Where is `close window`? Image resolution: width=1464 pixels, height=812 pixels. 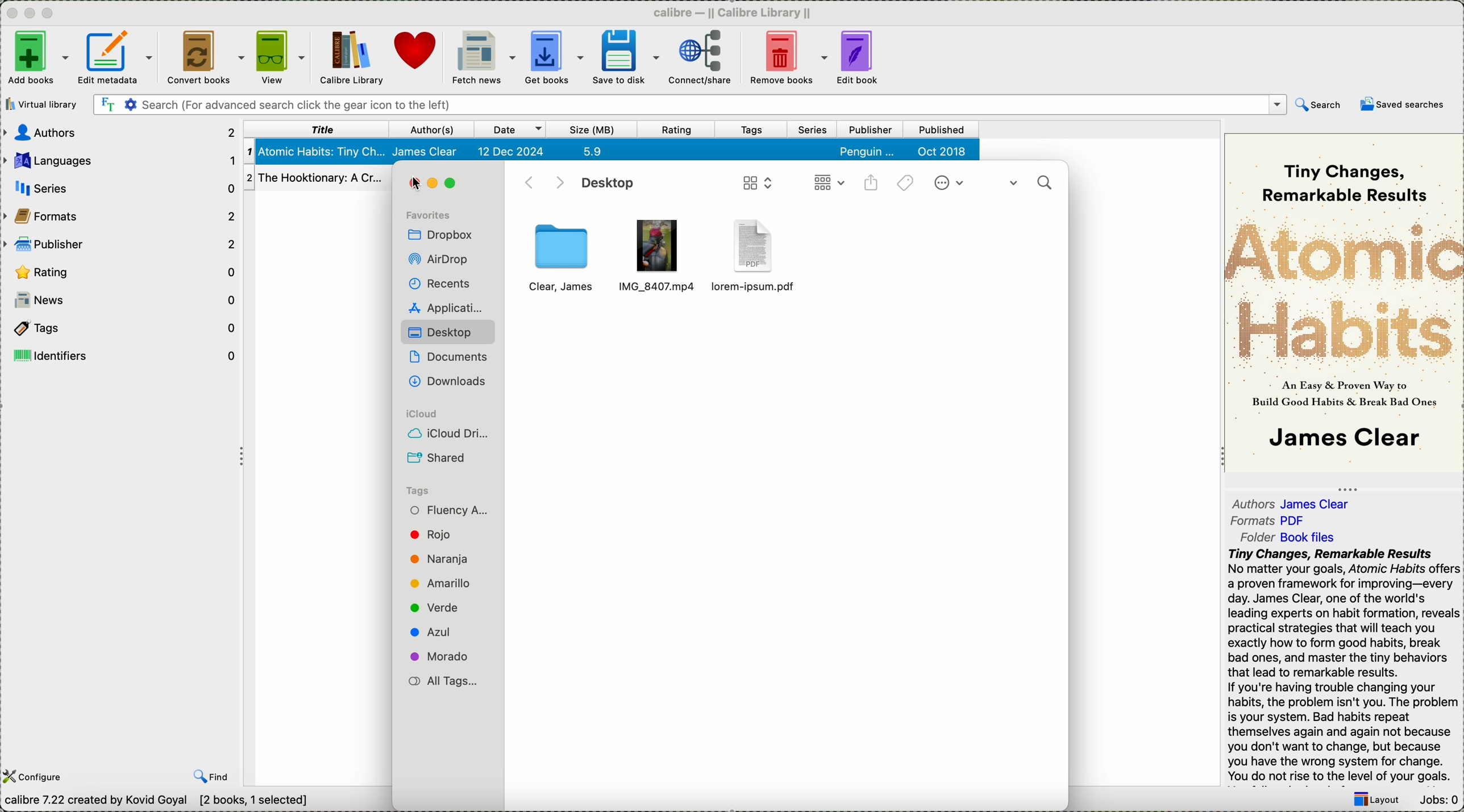
close window is located at coordinates (413, 185).